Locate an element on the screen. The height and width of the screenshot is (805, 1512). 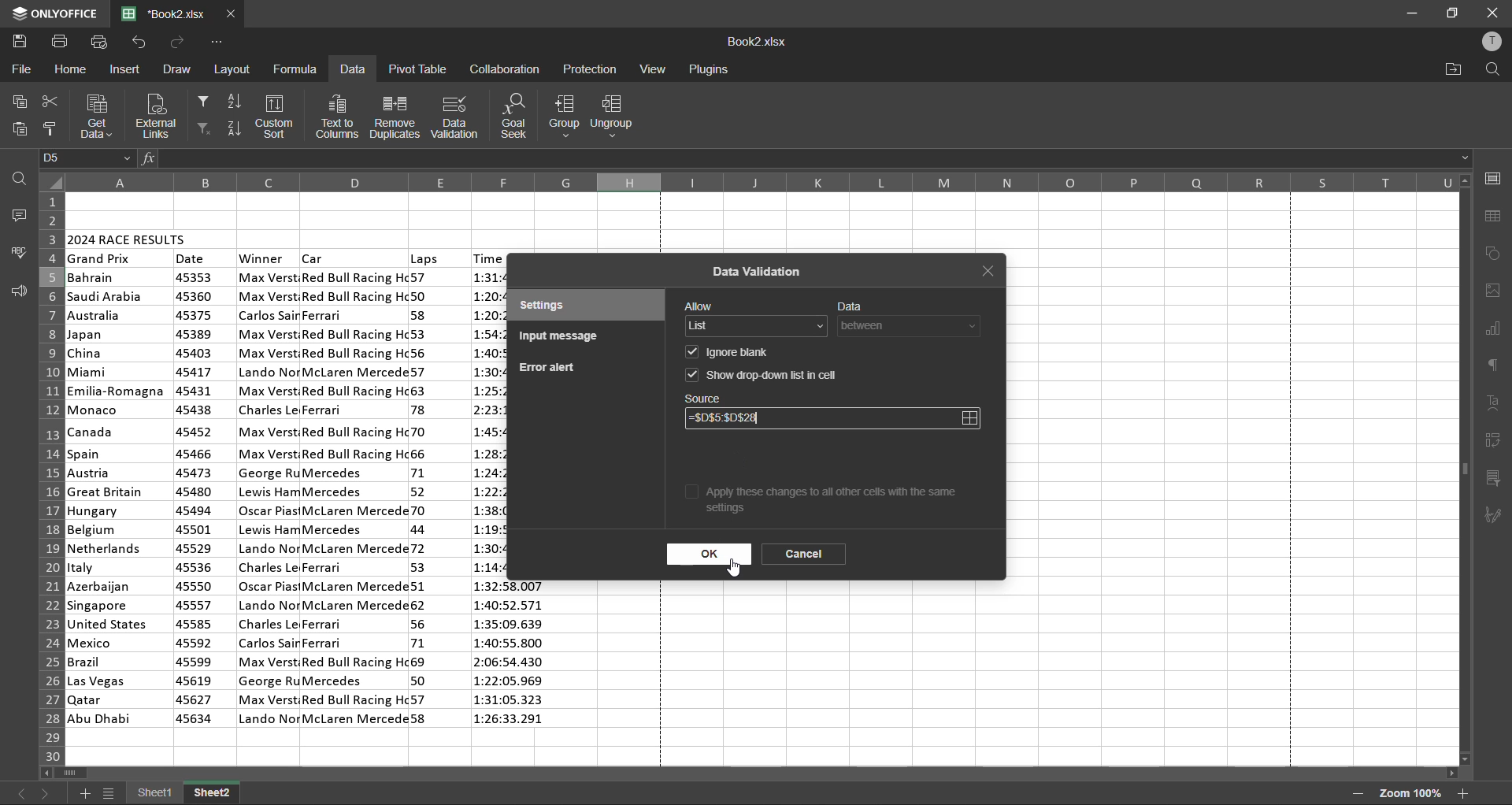
custom sort is located at coordinates (278, 117).